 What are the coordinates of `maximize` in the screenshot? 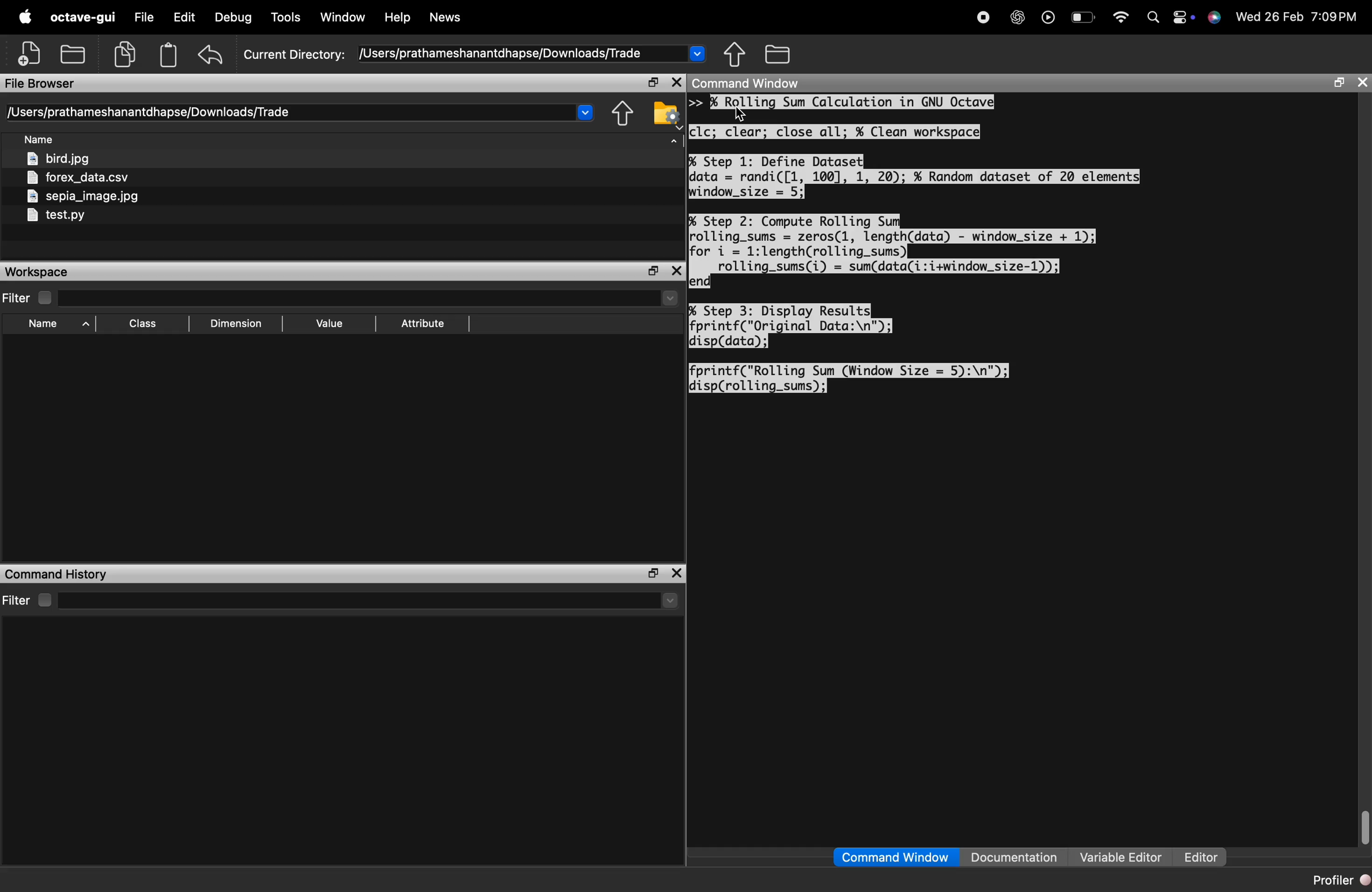 It's located at (651, 574).